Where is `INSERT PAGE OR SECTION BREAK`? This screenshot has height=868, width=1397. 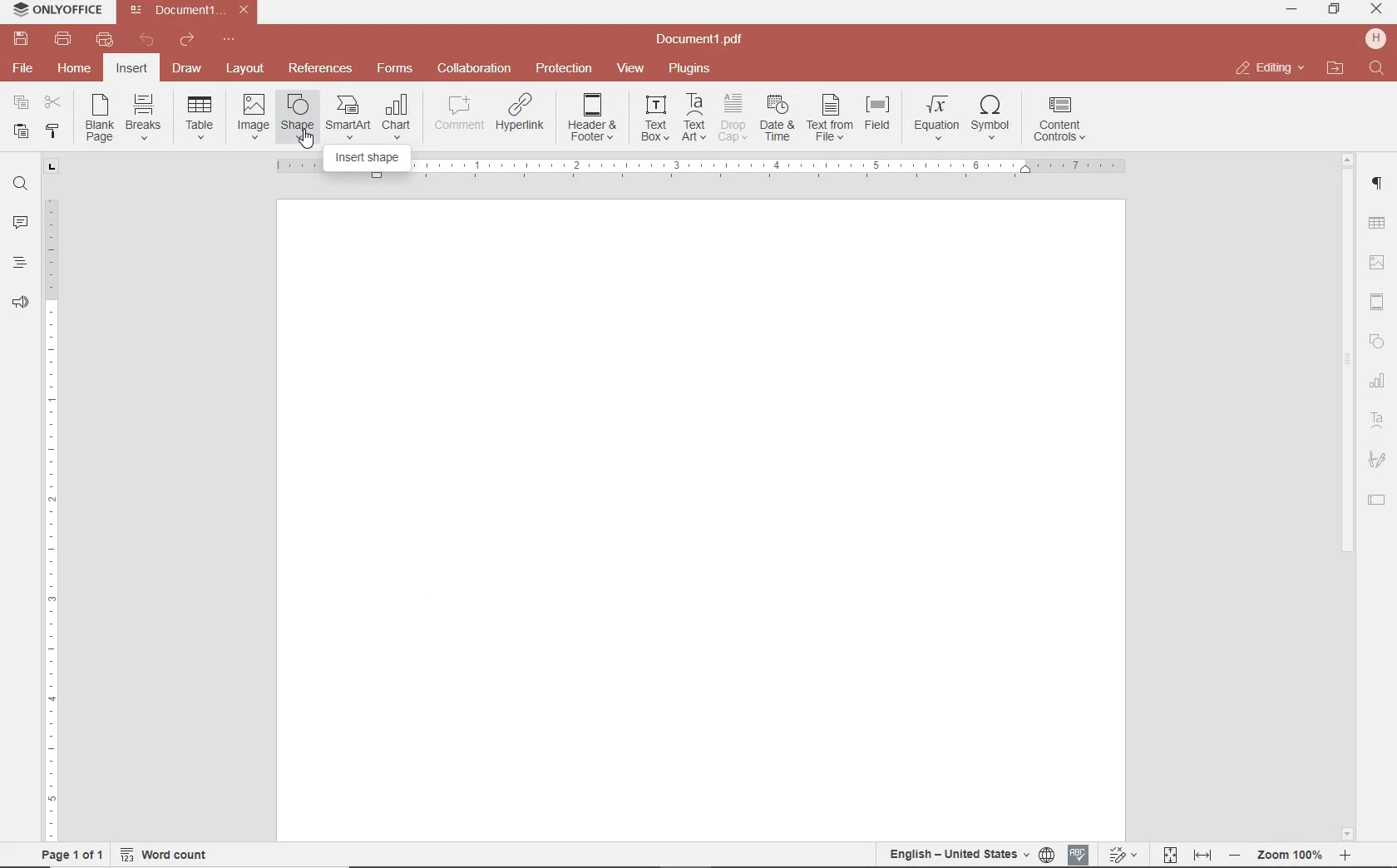
INSERT PAGE OR SECTION BREAK is located at coordinates (143, 118).